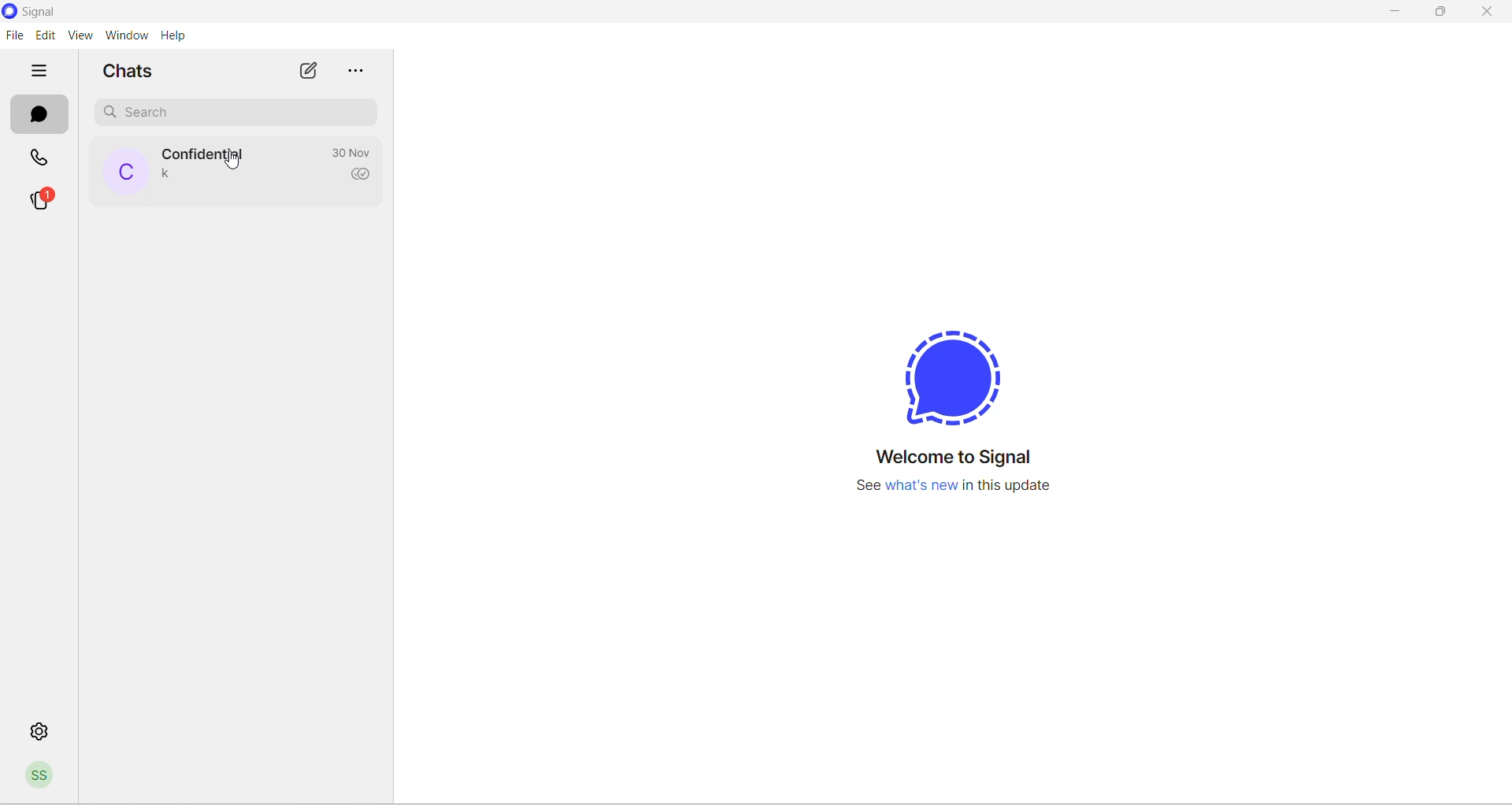 Image resolution: width=1512 pixels, height=805 pixels. Describe the element at coordinates (40, 777) in the screenshot. I see `profile` at that location.